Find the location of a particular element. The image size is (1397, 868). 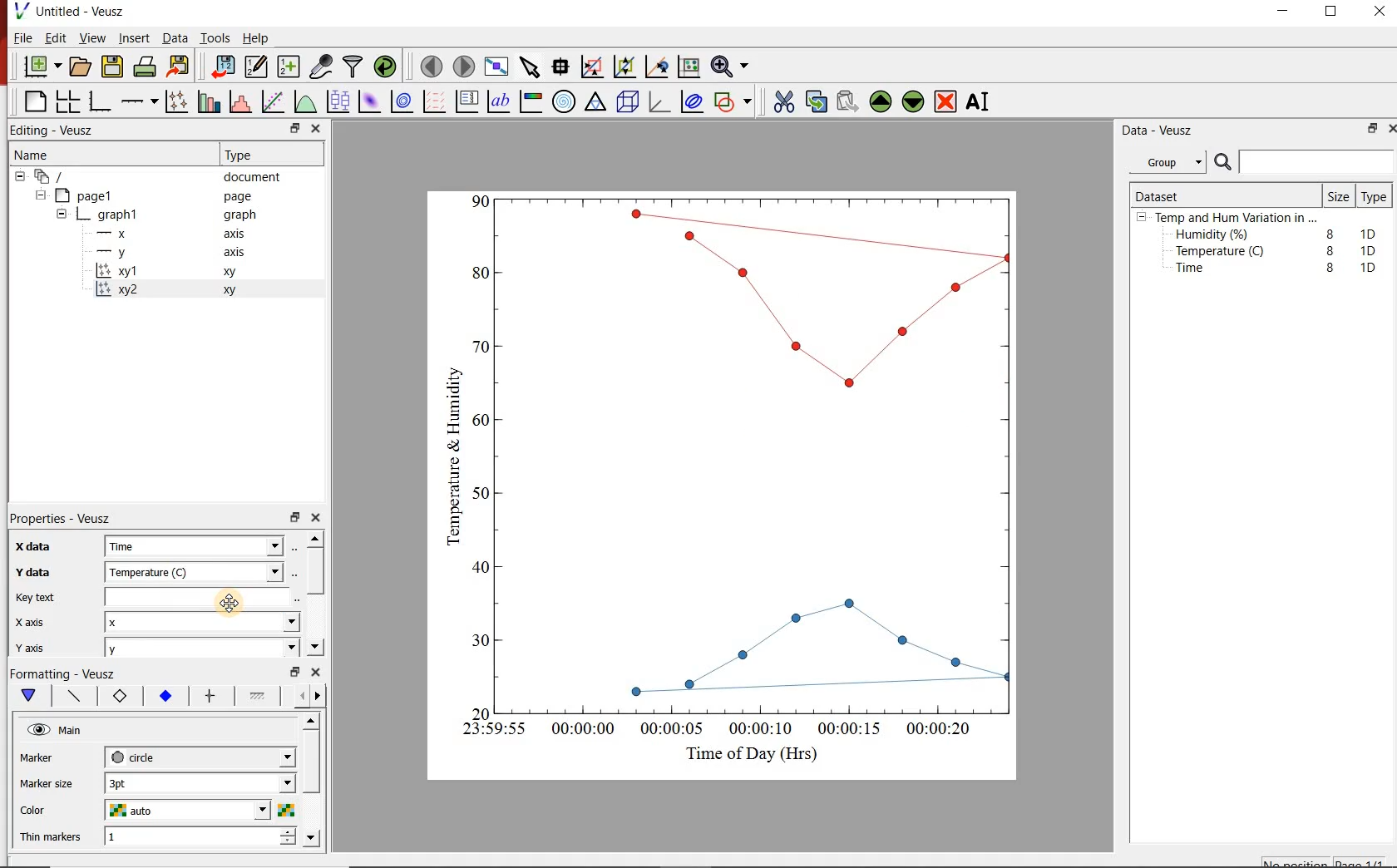

go back is located at coordinates (296, 694).